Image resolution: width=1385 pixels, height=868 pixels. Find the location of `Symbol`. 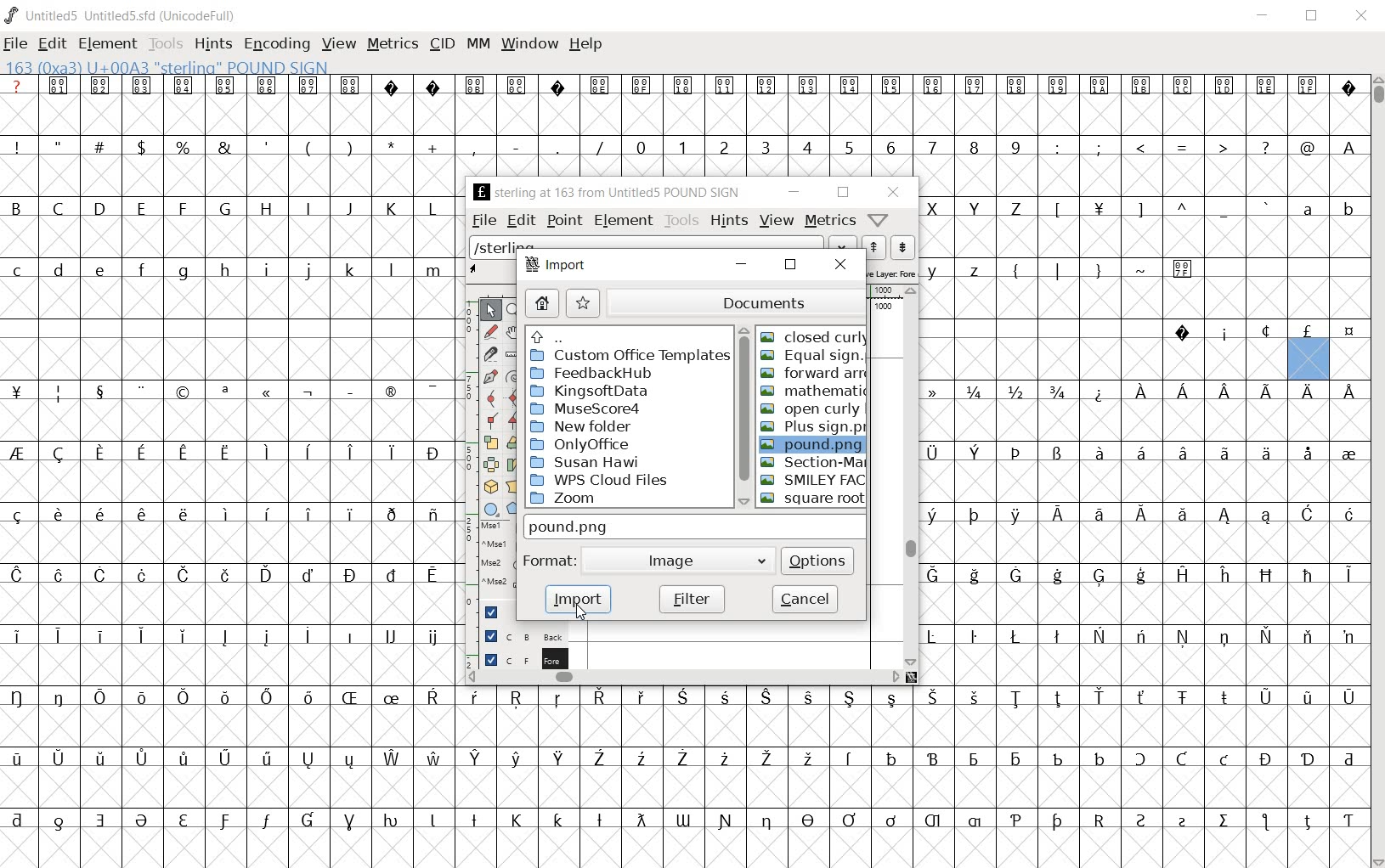

Symbol is located at coordinates (139, 514).